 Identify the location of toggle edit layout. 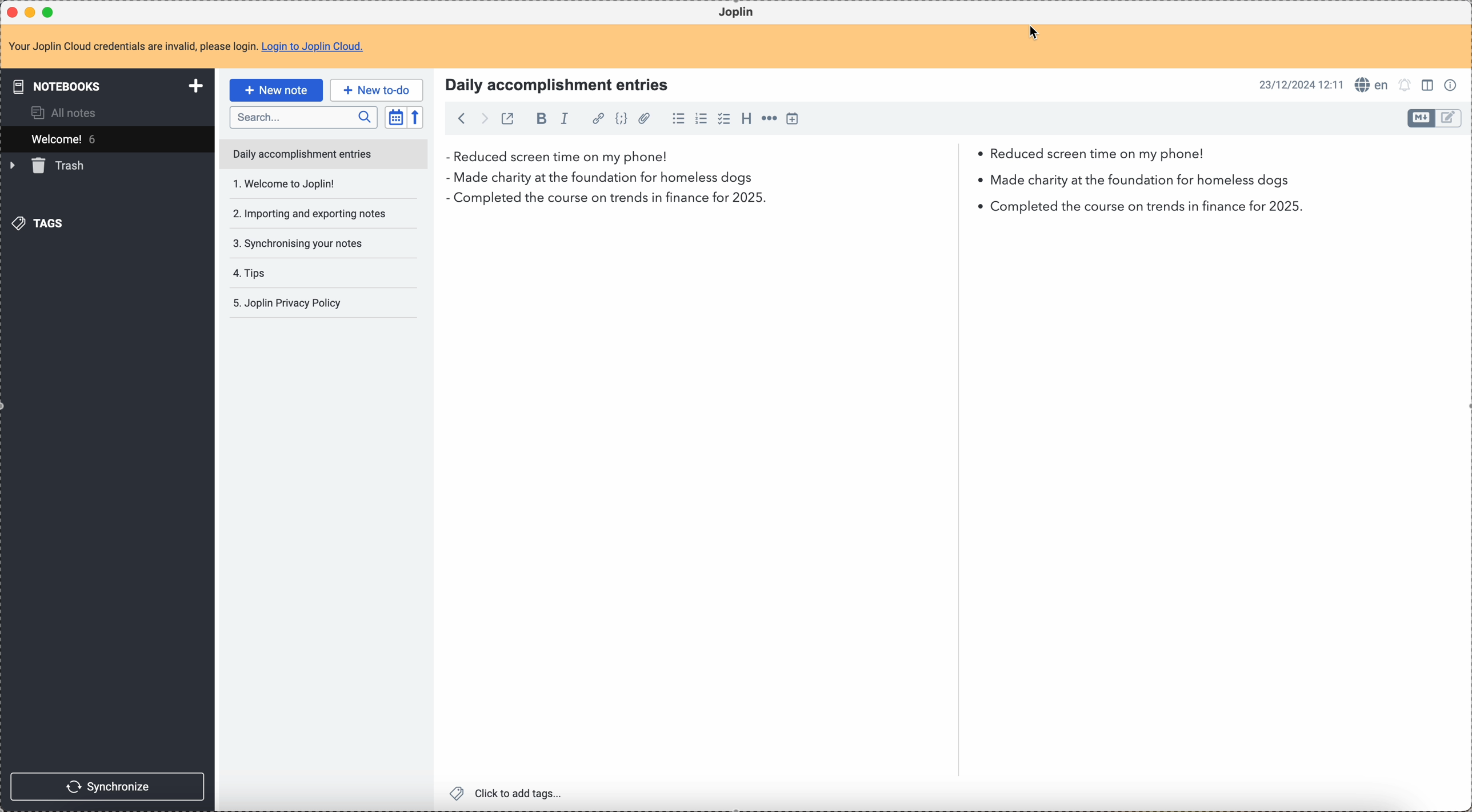
(1428, 84).